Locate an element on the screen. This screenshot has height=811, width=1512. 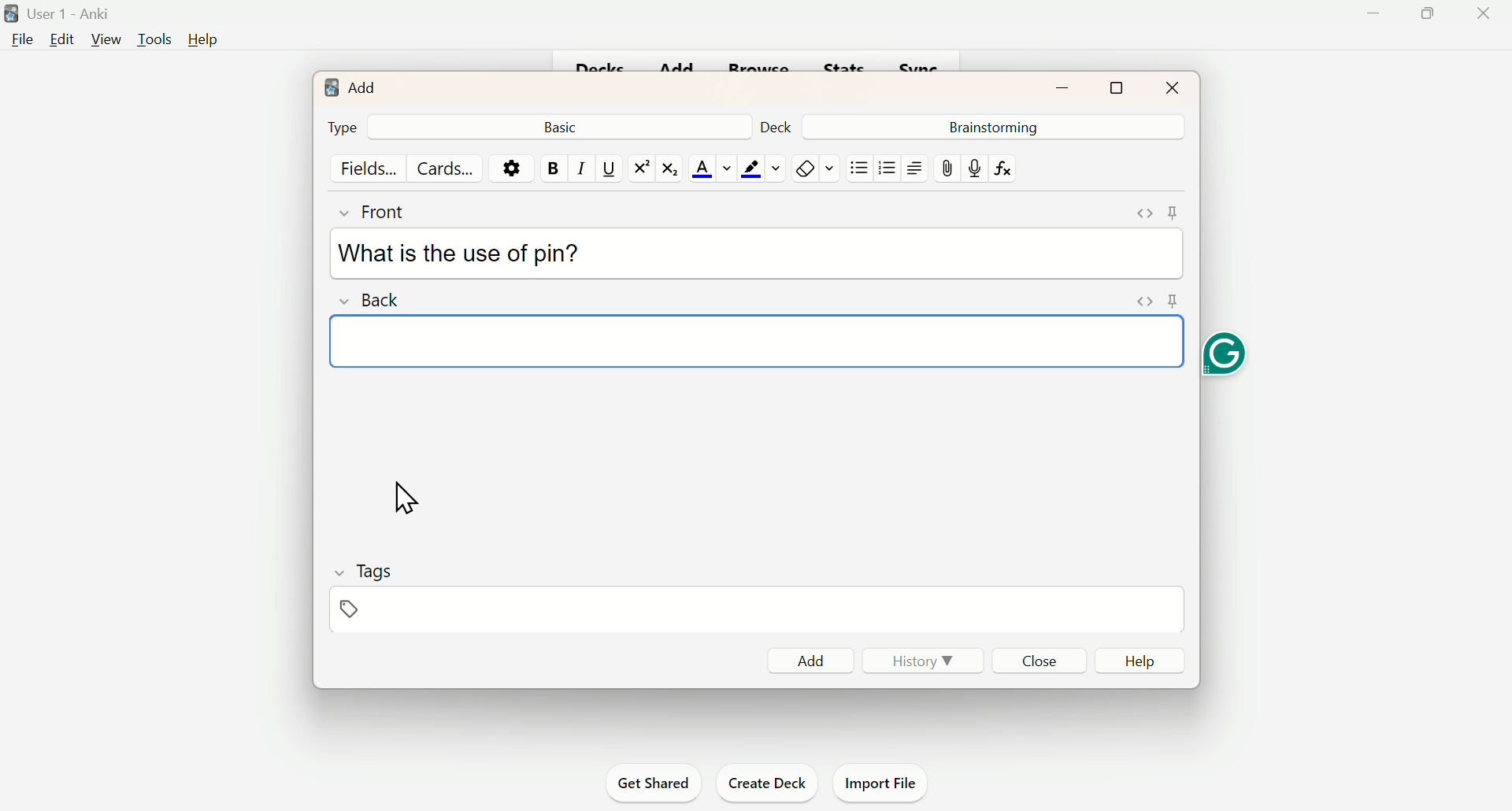
Minimize is located at coordinates (1065, 86).